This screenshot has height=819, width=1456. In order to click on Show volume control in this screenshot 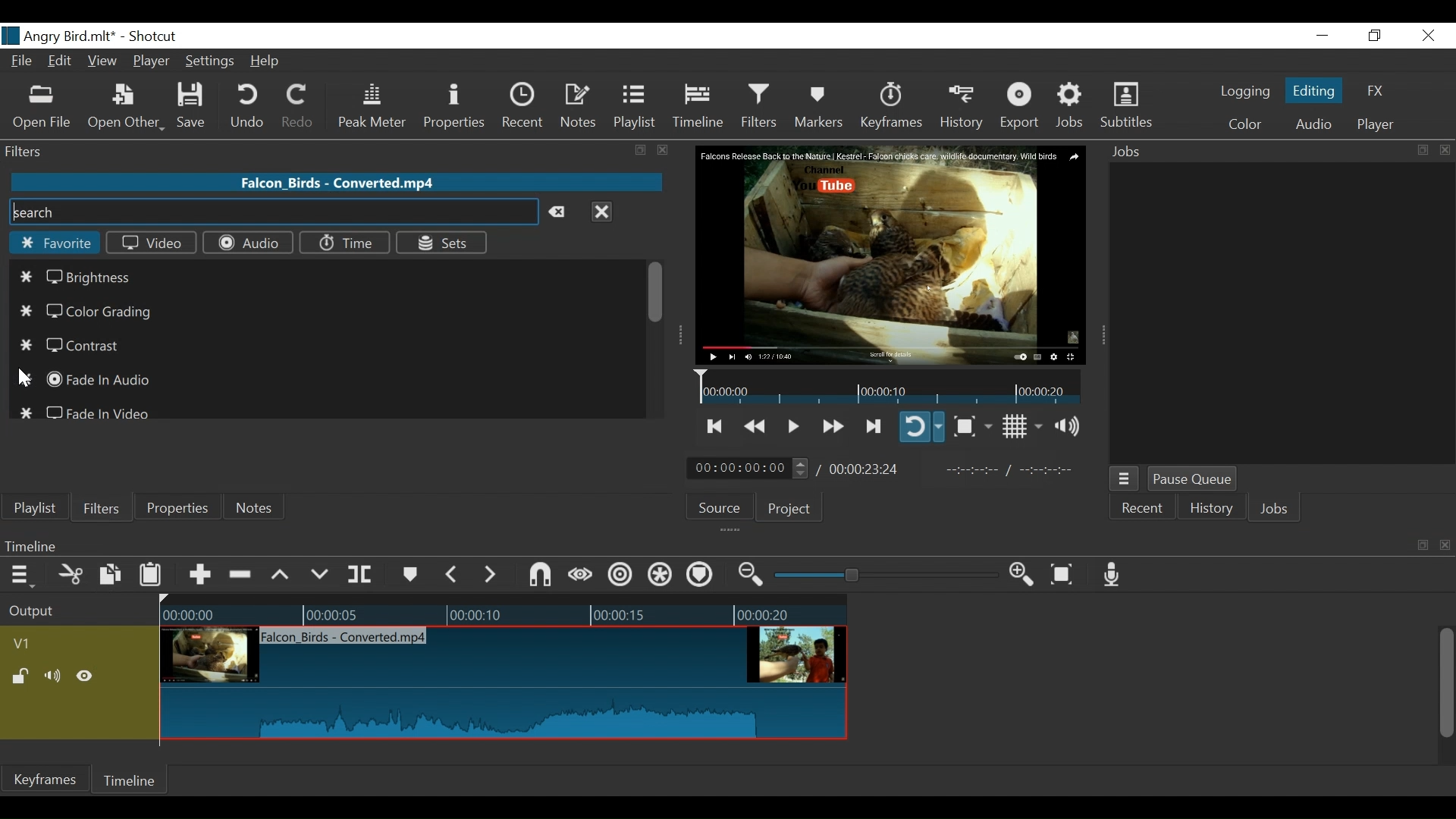, I will do `click(1073, 426)`.